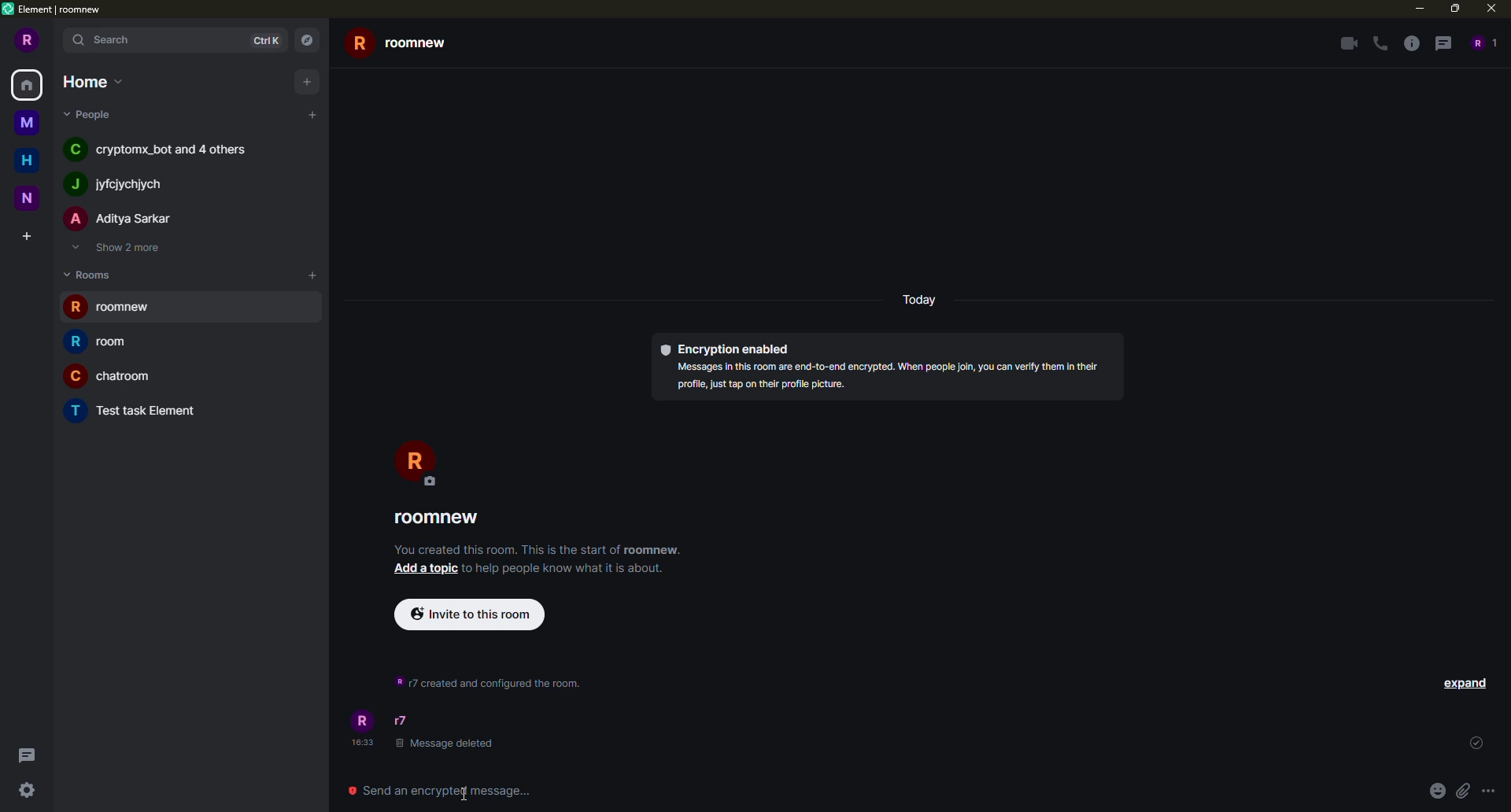  What do you see at coordinates (1483, 42) in the screenshot?
I see `people` at bounding box center [1483, 42].